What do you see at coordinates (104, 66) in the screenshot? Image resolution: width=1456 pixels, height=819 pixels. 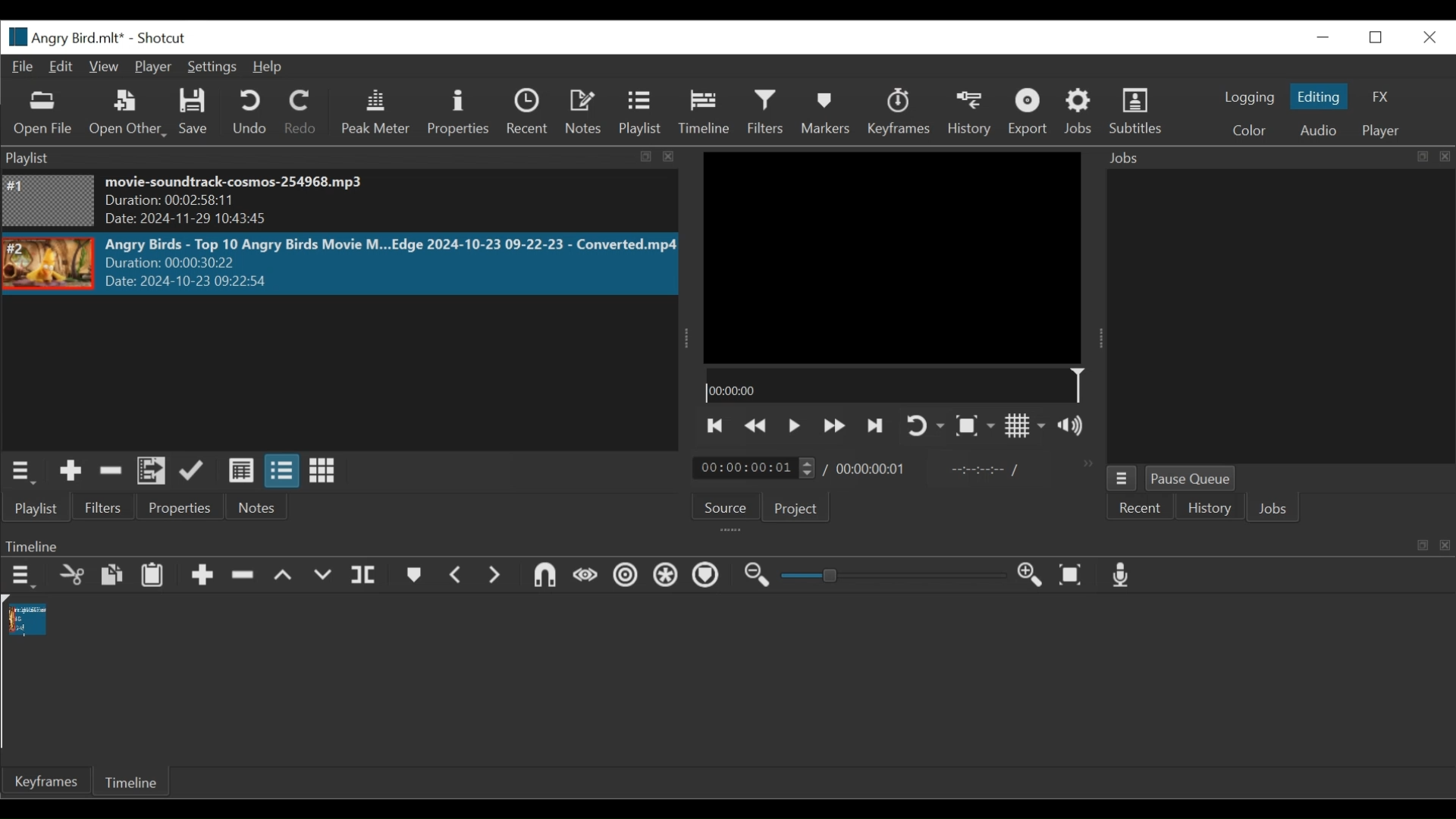 I see `View` at bounding box center [104, 66].